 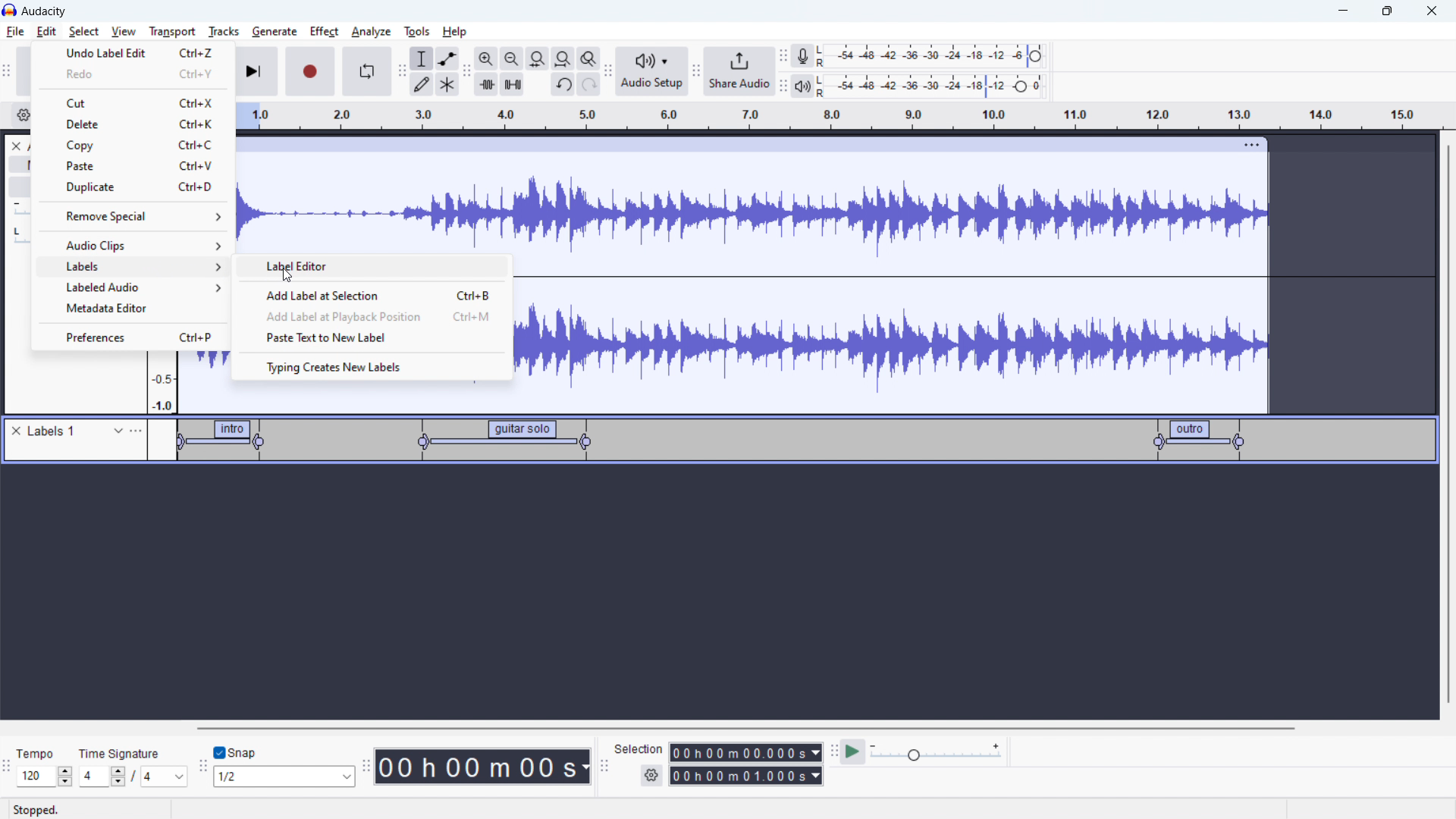 What do you see at coordinates (1200, 439) in the screenshot?
I see `label 3` at bounding box center [1200, 439].